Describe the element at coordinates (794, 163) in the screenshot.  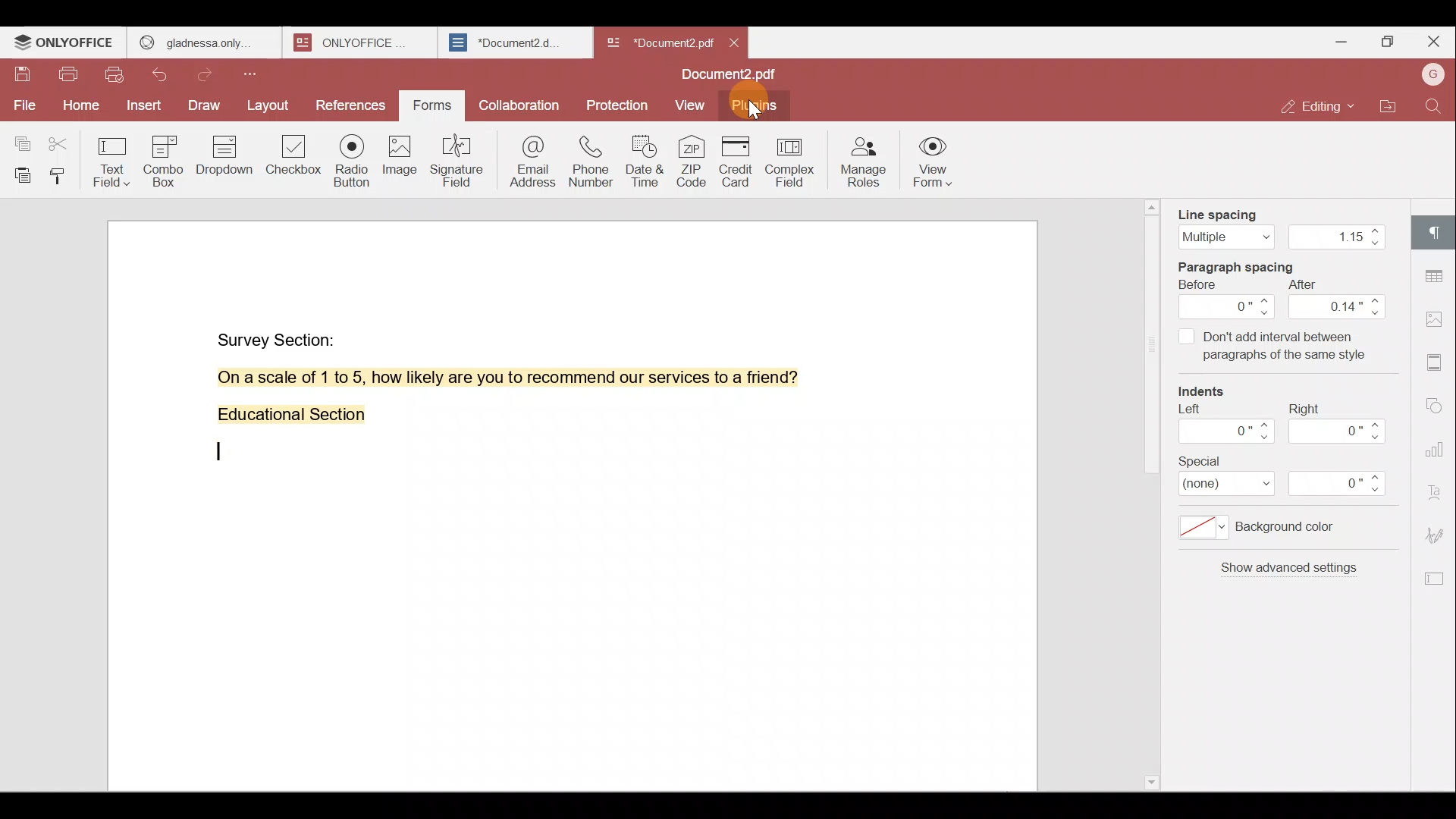
I see `Complex field` at that location.